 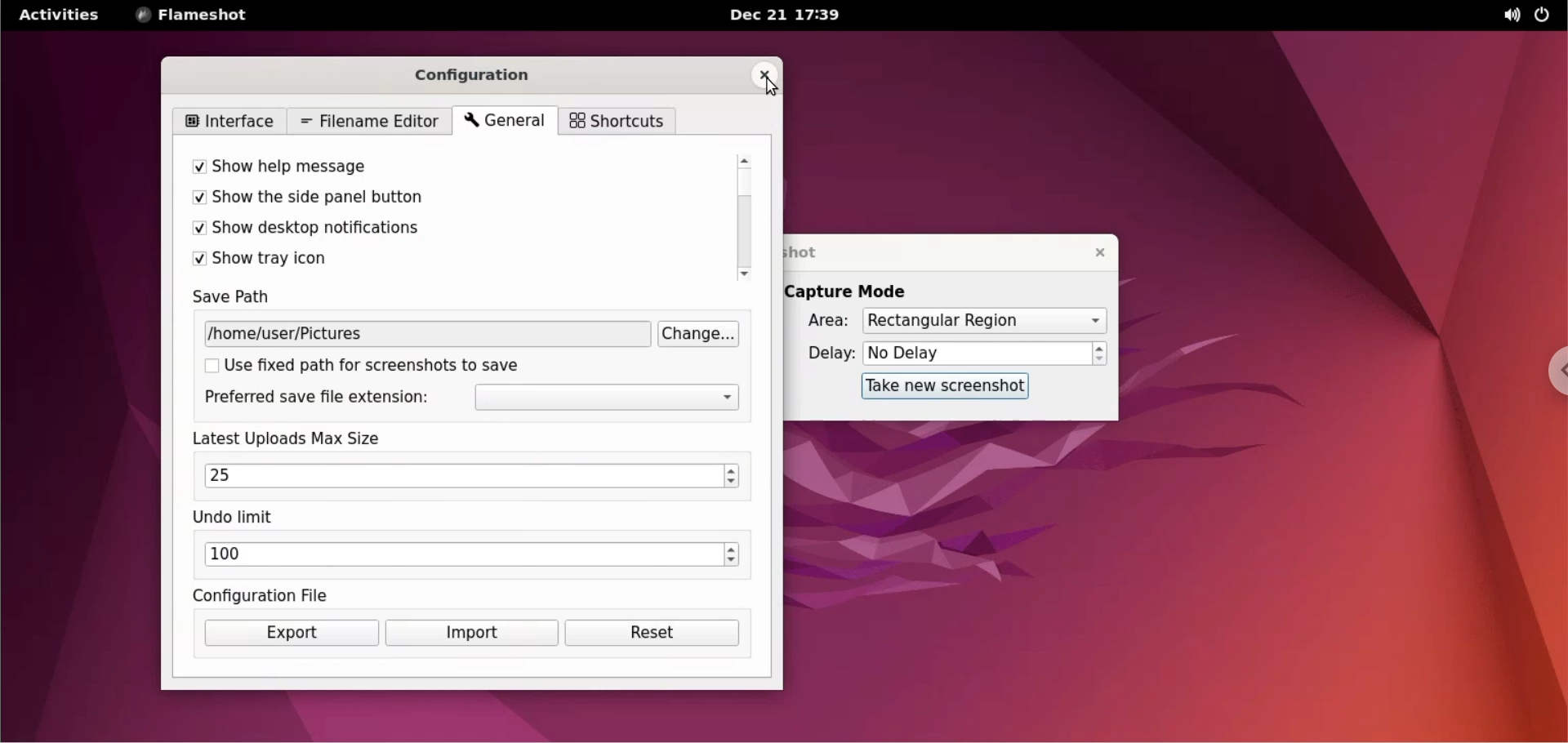 What do you see at coordinates (433, 169) in the screenshot?
I see `show help message checkbox` at bounding box center [433, 169].